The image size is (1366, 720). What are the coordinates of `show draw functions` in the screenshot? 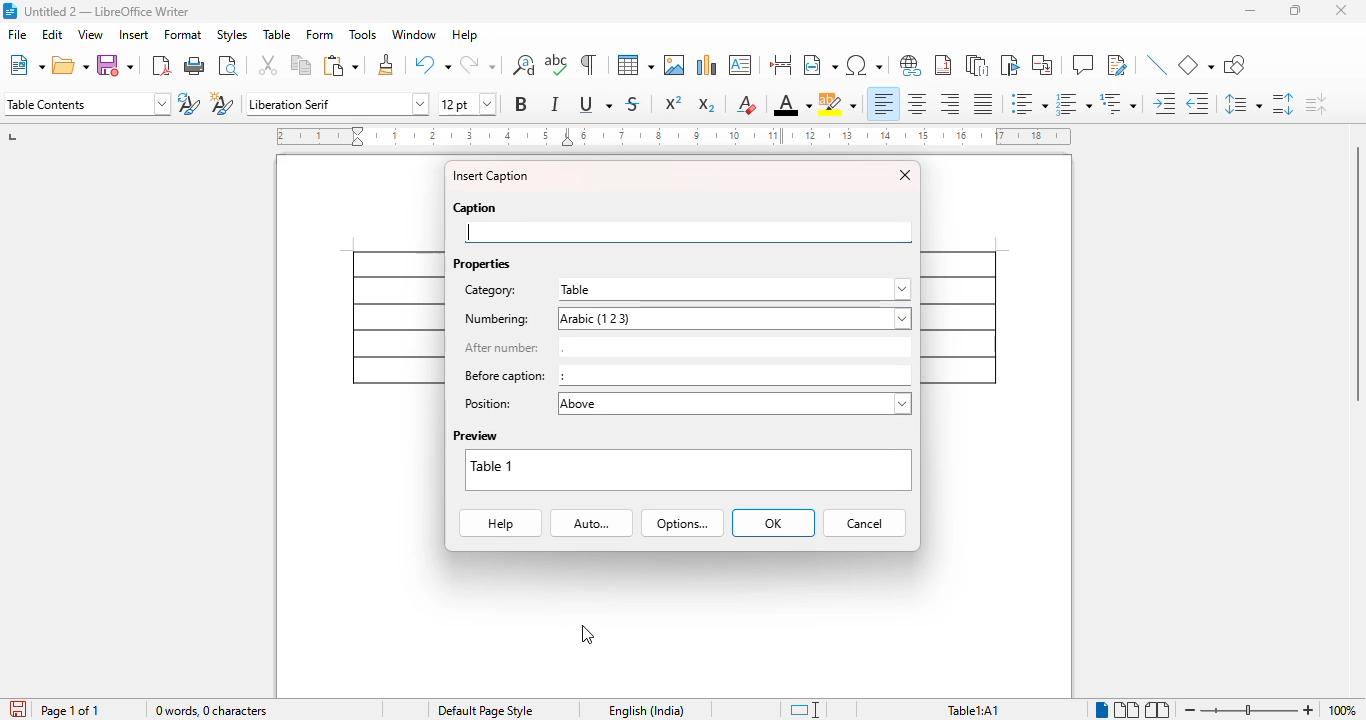 It's located at (1235, 64).